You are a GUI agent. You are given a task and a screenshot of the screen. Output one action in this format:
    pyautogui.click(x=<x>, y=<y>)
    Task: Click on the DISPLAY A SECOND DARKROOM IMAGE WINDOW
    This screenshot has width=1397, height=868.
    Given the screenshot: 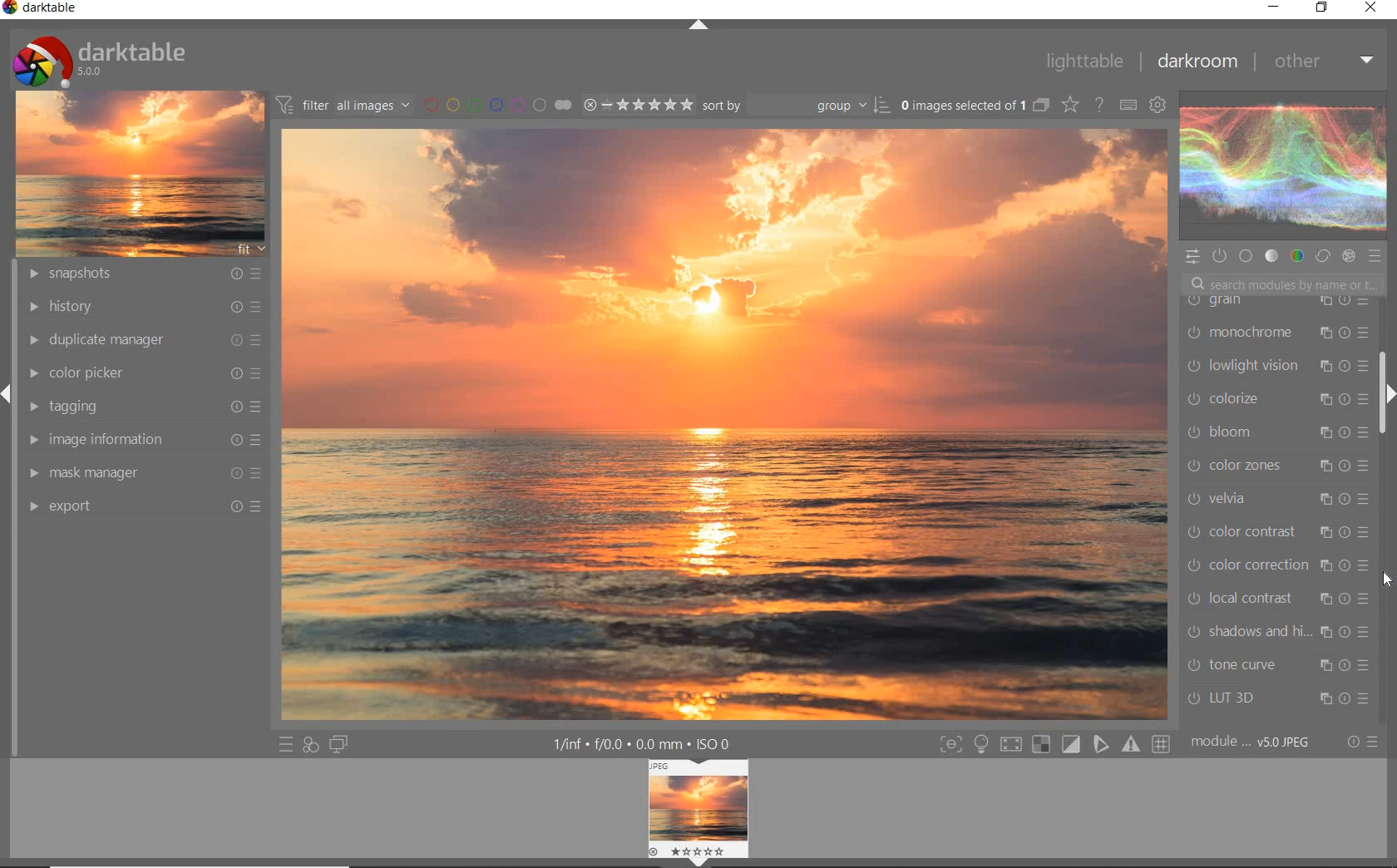 What is the action you would take?
    pyautogui.click(x=338, y=746)
    